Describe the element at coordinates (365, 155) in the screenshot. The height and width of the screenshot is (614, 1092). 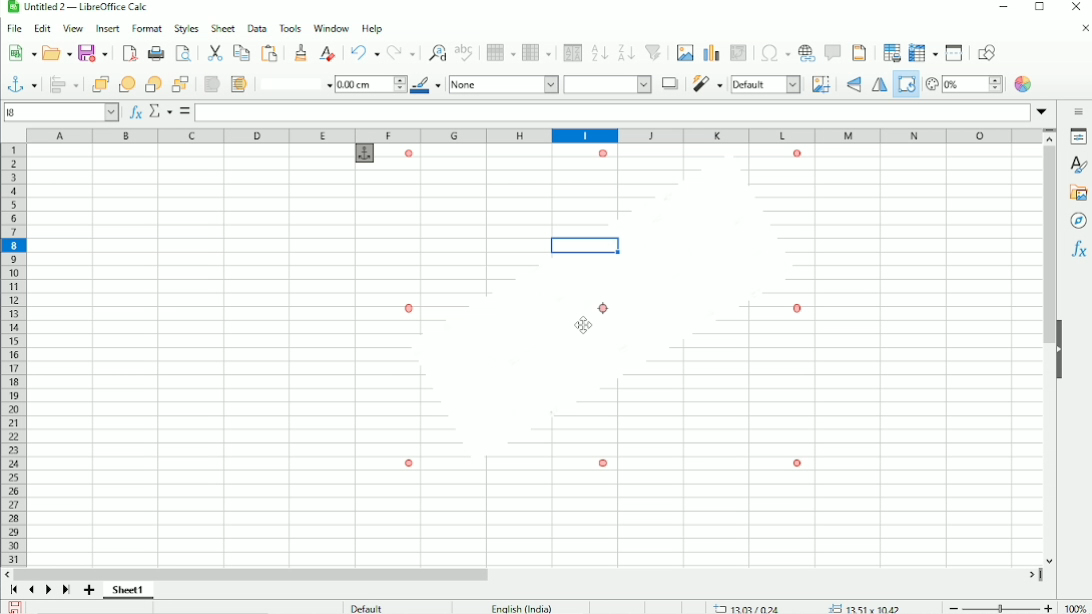
I see `anchor` at that location.